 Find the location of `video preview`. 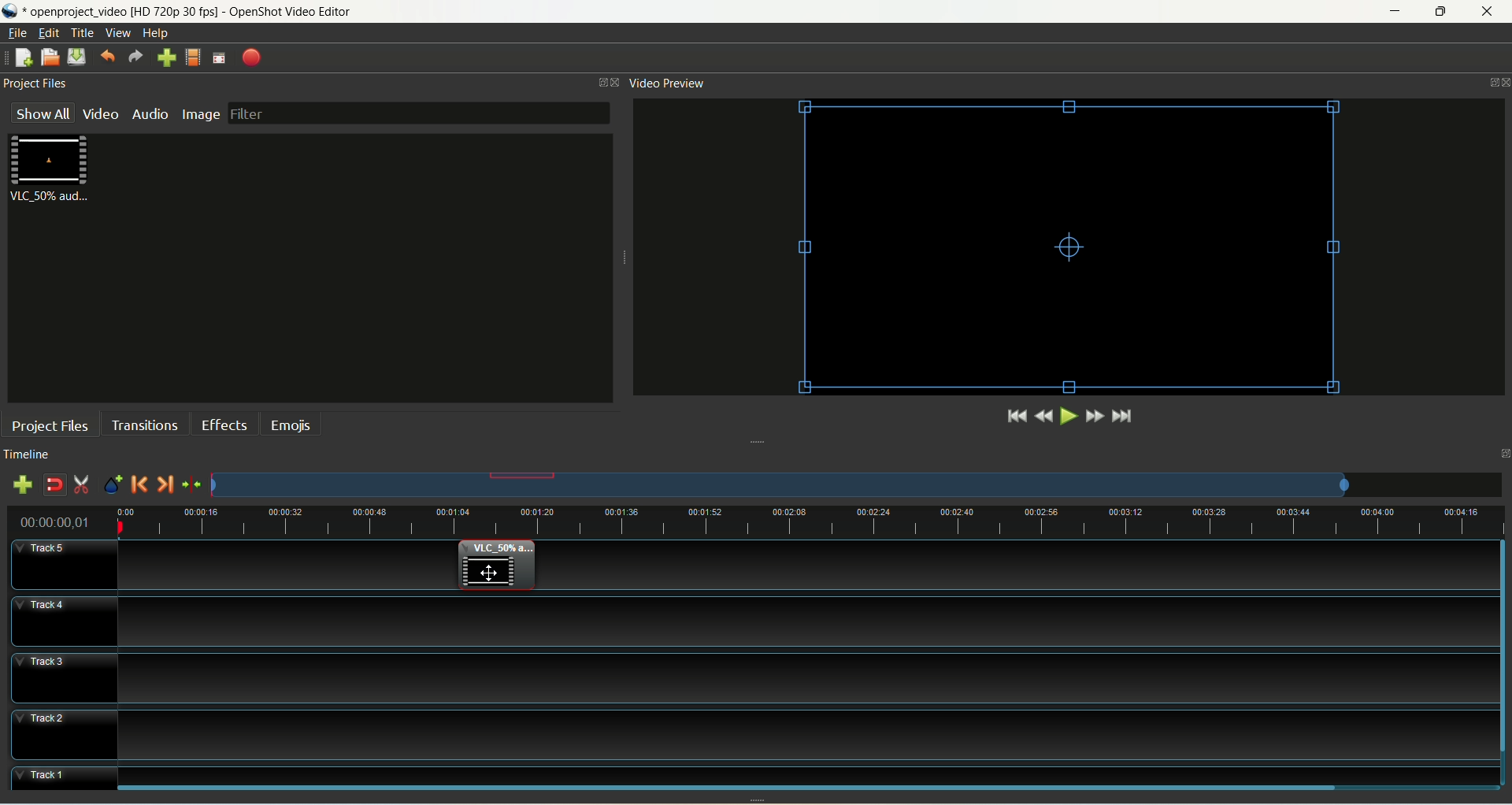

video preview is located at coordinates (669, 84).